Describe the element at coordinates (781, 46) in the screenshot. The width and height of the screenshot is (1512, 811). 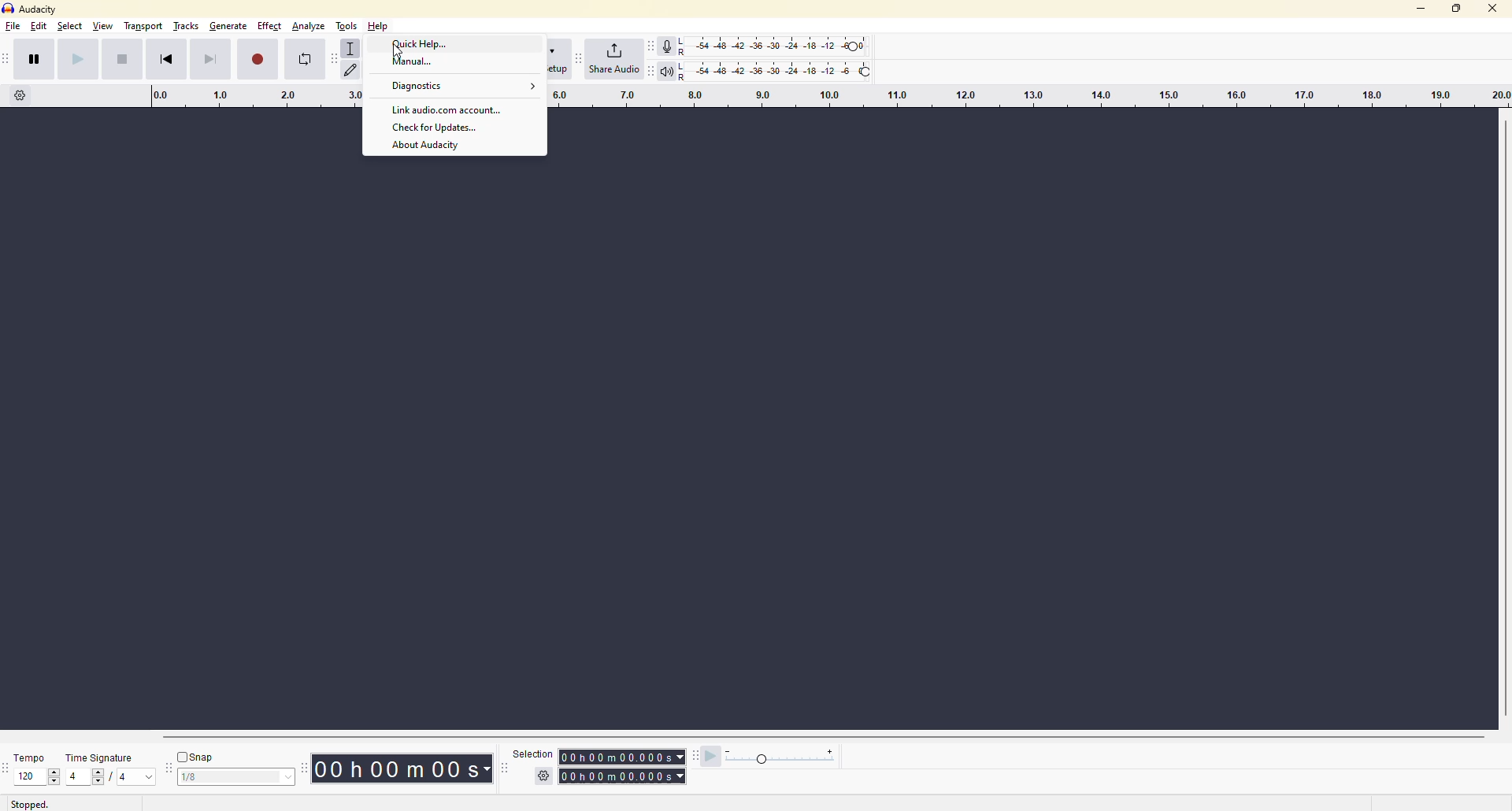
I see `recording level` at that location.